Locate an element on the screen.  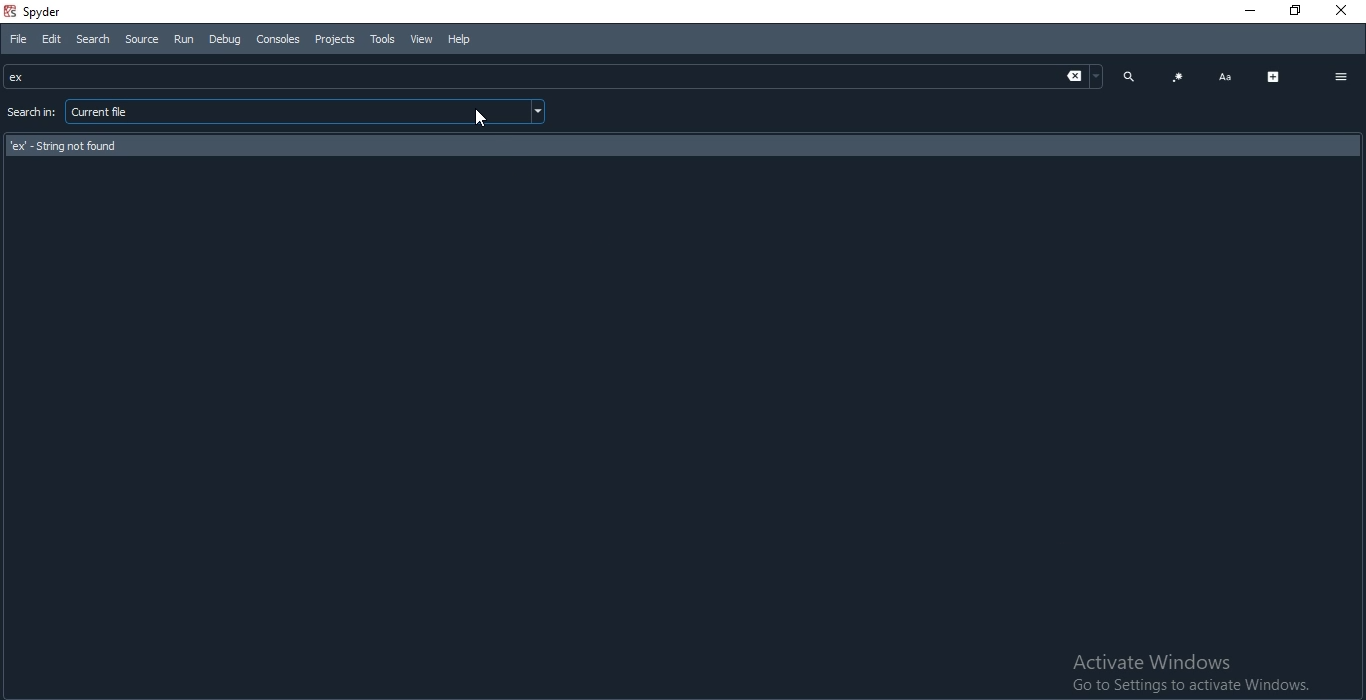
Activate windows is located at coordinates (1192, 670).